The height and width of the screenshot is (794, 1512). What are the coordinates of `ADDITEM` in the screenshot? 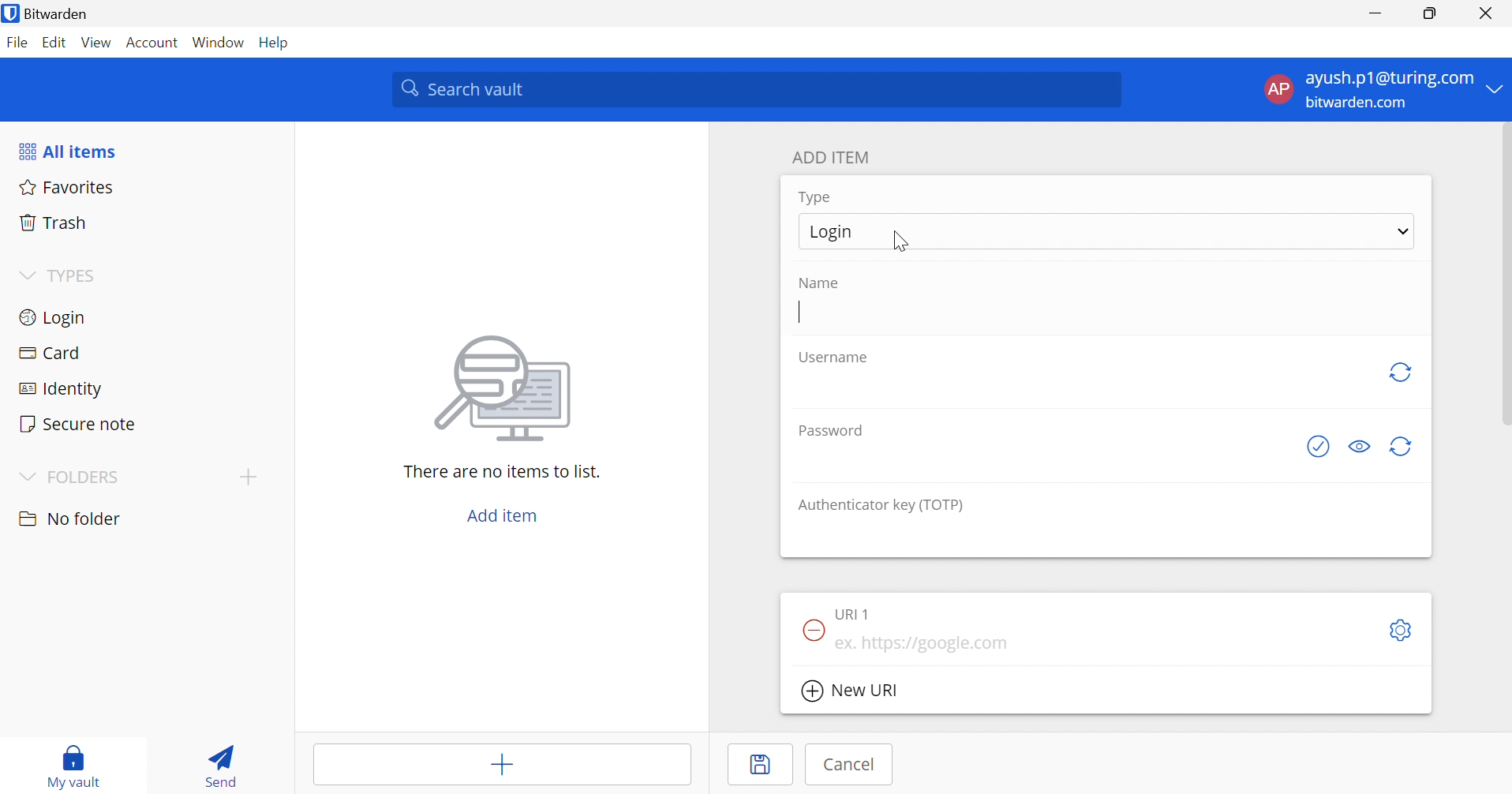 It's located at (835, 157).